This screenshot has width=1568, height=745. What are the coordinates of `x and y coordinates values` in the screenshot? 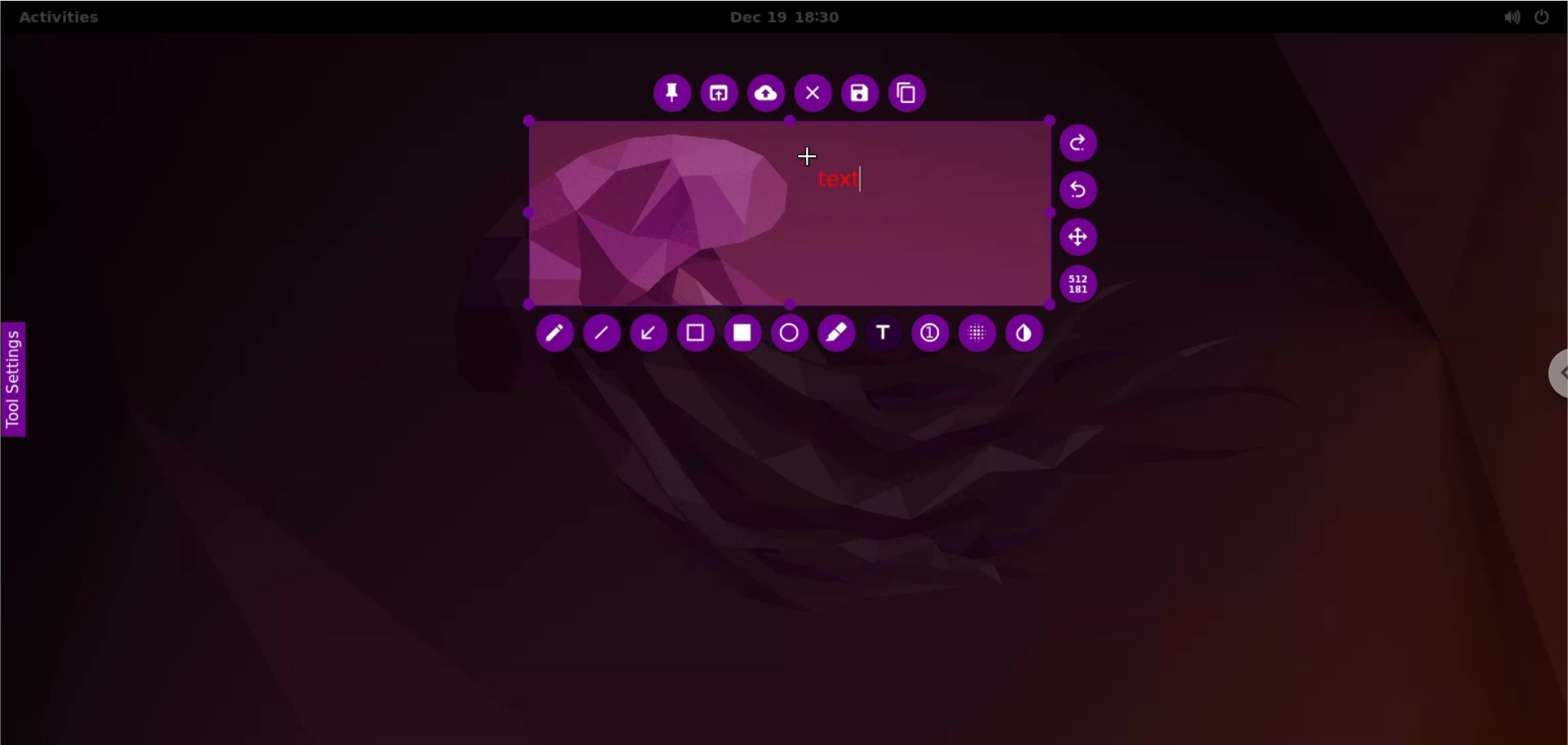 It's located at (1085, 287).